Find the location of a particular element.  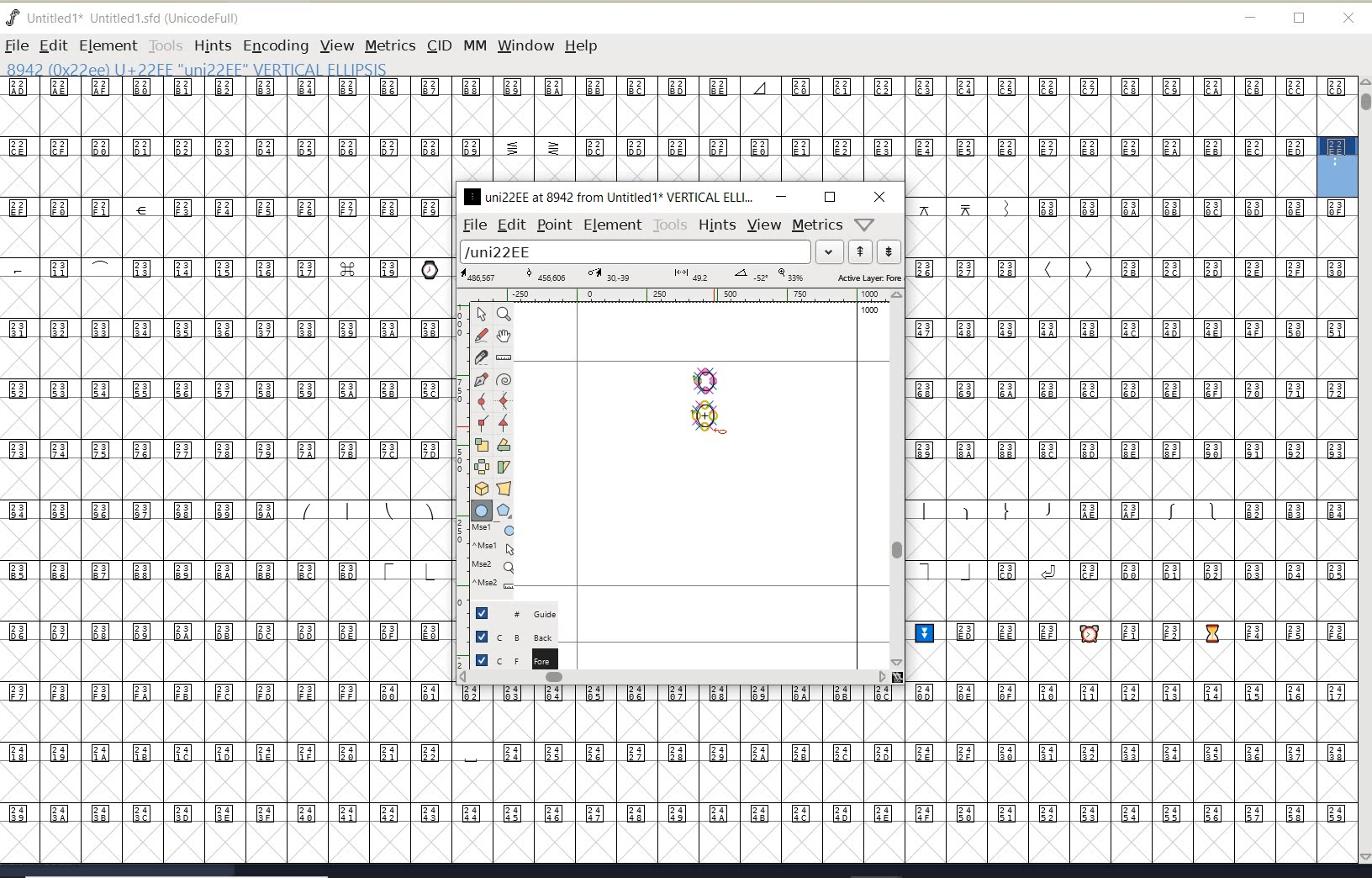

add a curve point is located at coordinates (485, 401).